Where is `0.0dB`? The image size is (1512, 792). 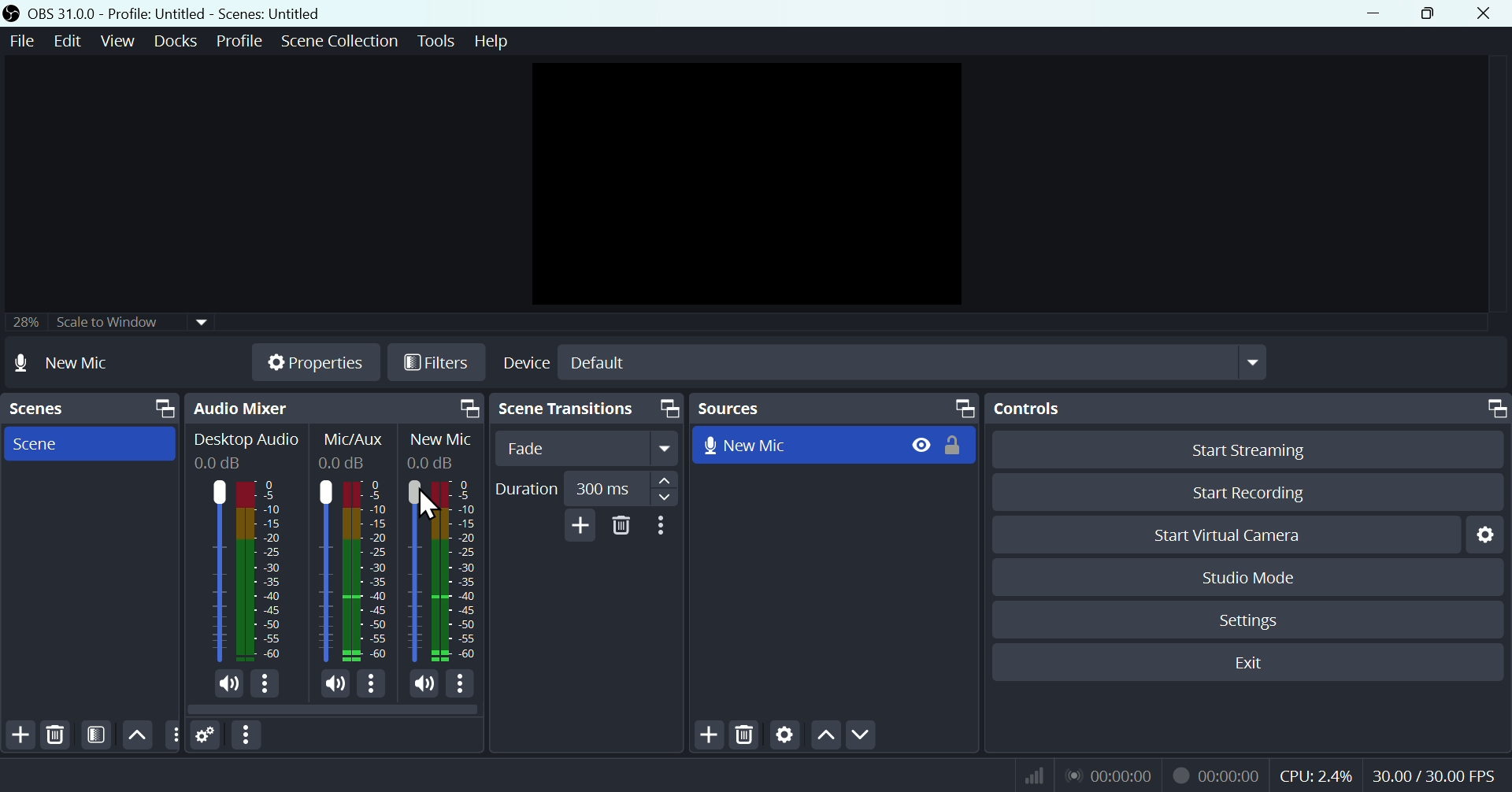
0.0dB is located at coordinates (430, 461).